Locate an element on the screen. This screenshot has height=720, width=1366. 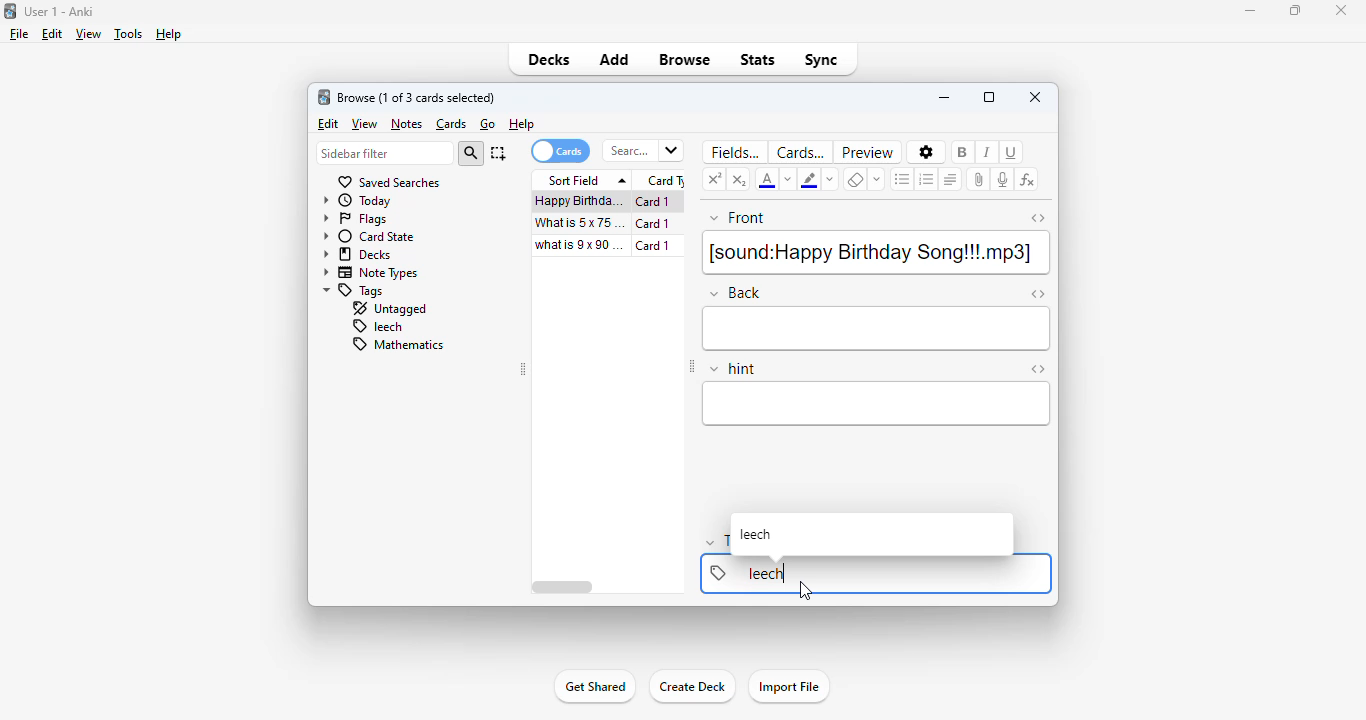
leech is located at coordinates (376, 327).